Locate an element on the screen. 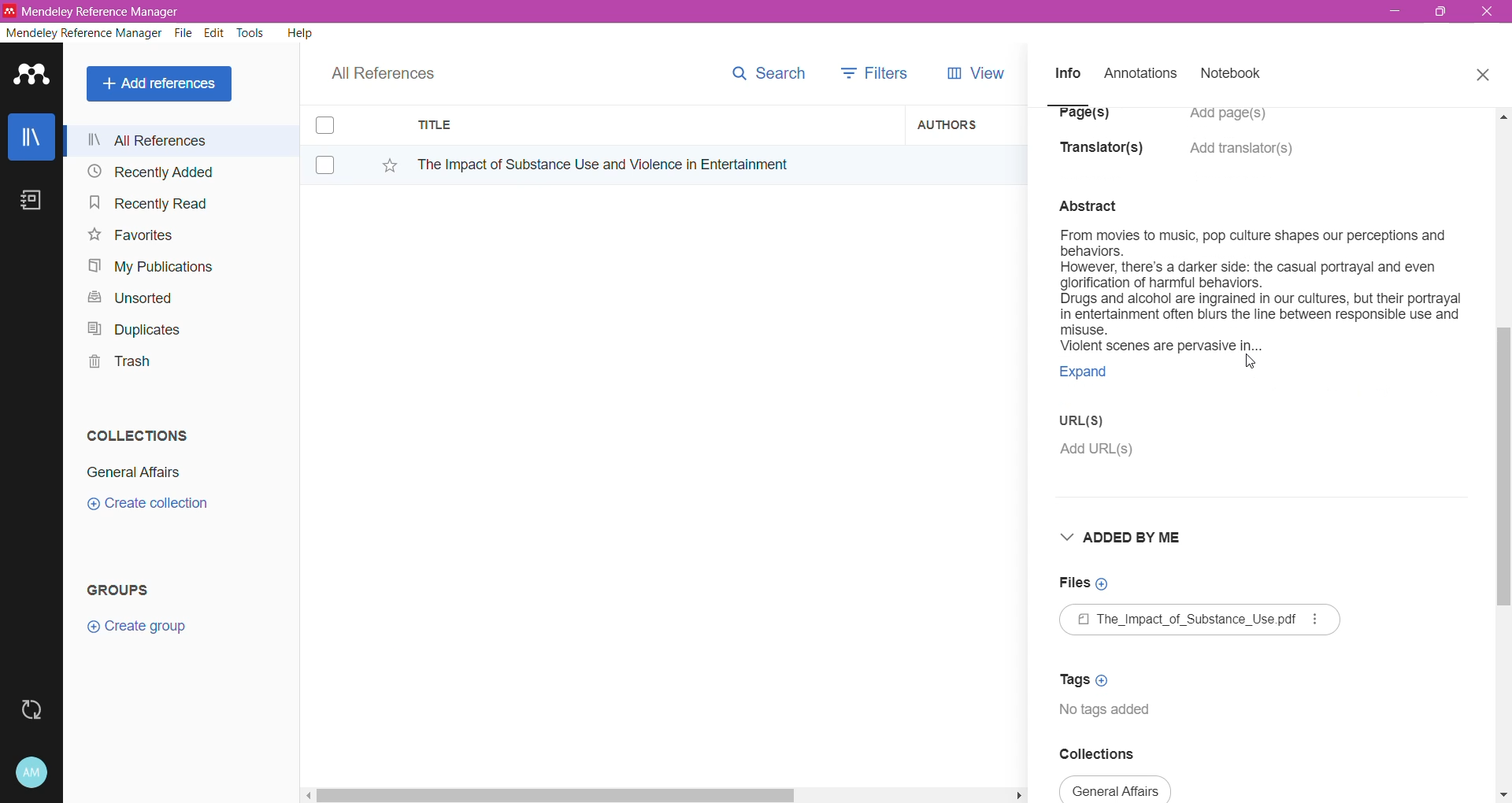 Image resolution: width=1512 pixels, height=803 pixels. Vertical Scroll Bar is located at coordinates (1503, 453).